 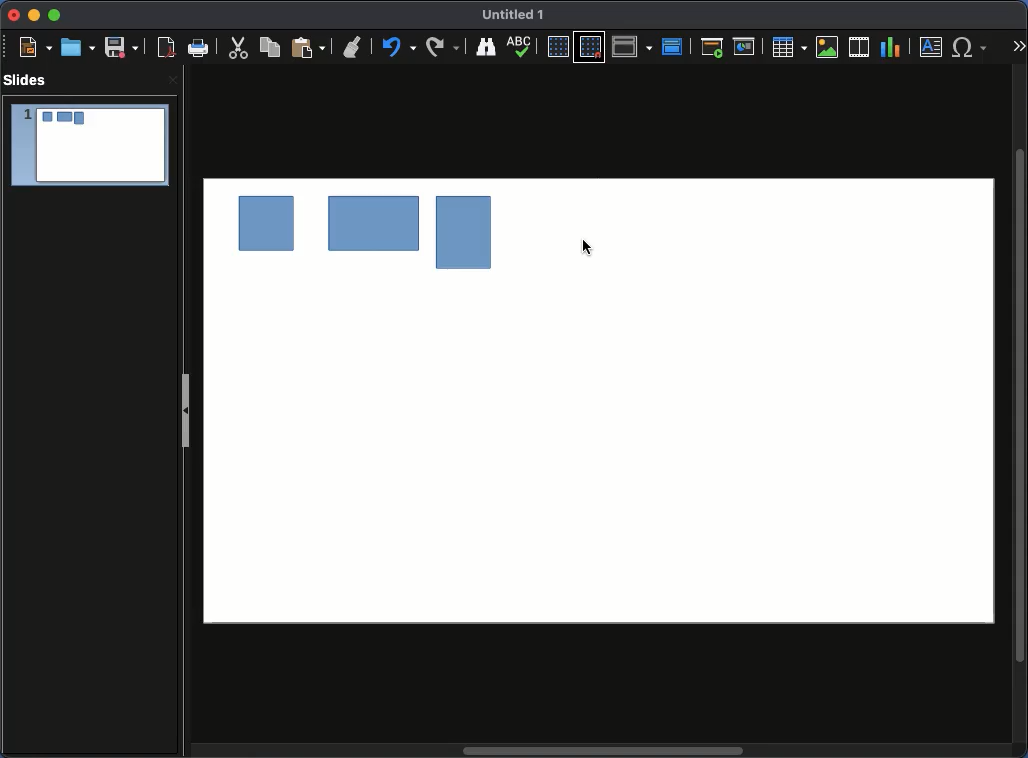 I want to click on Close, so click(x=15, y=15).